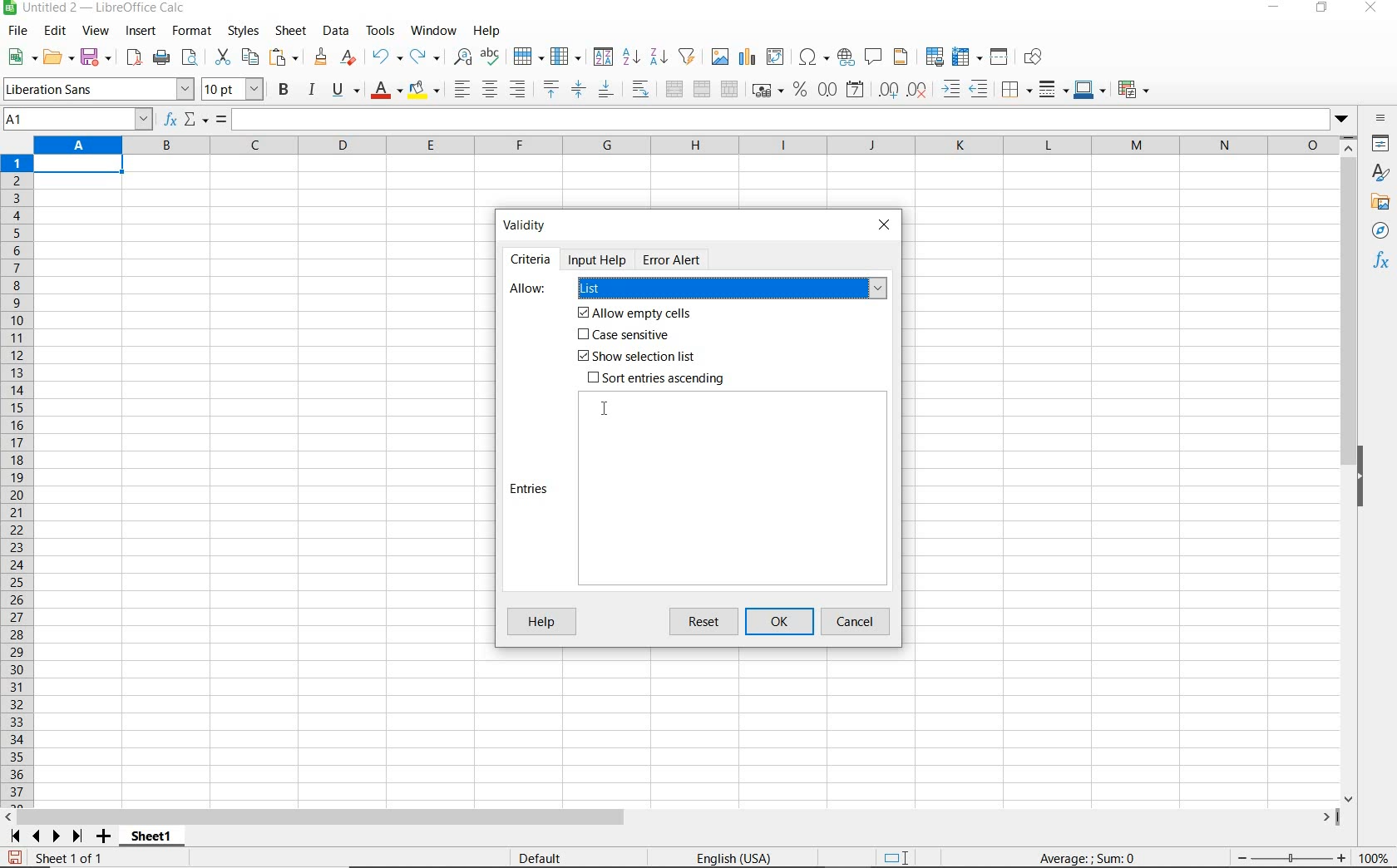 This screenshot has height=868, width=1397. What do you see at coordinates (140, 32) in the screenshot?
I see `insert` at bounding box center [140, 32].